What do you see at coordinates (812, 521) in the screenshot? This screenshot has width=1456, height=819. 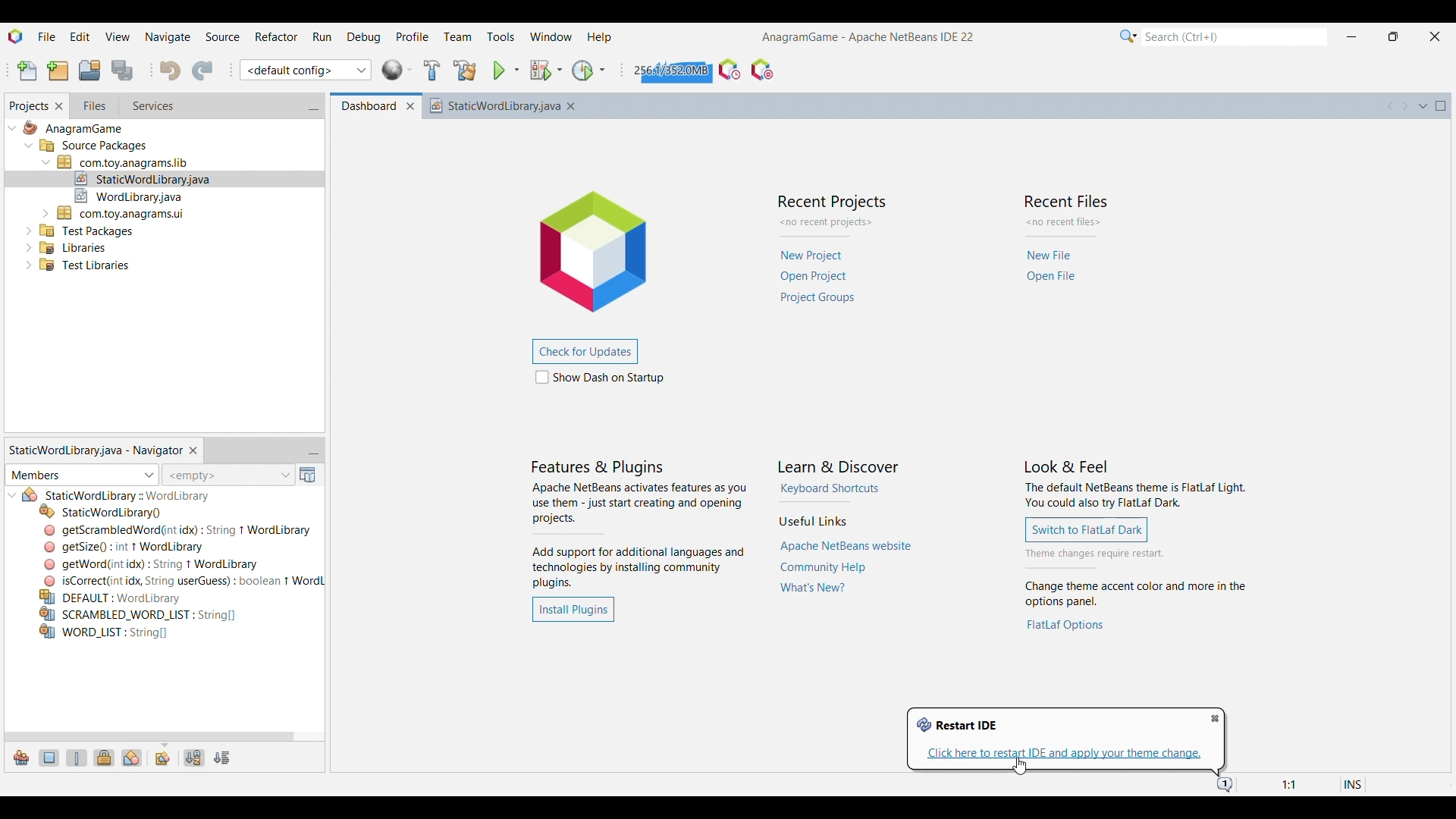 I see `Useful Links` at bounding box center [812, 521].